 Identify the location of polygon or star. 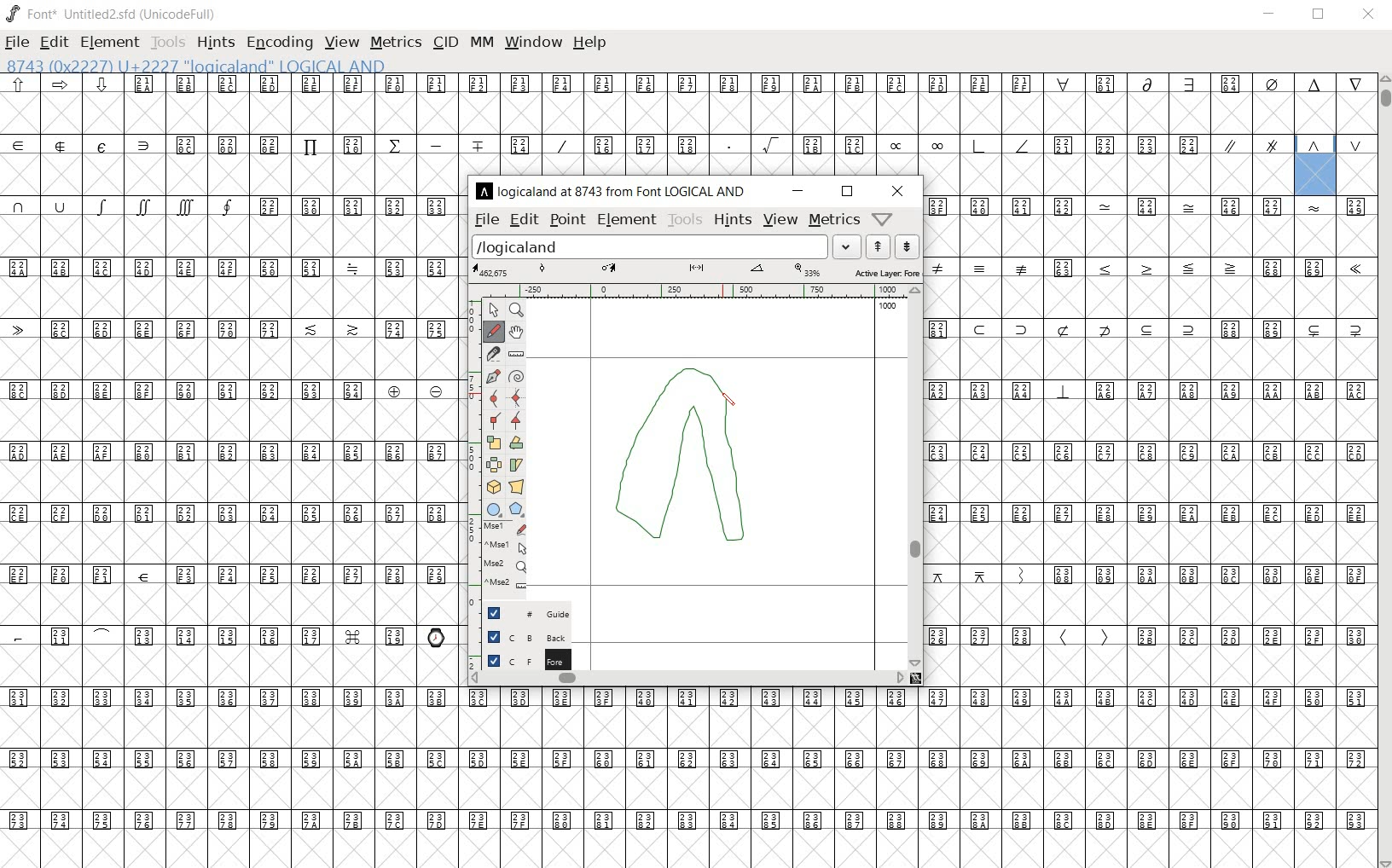
(517, 510).